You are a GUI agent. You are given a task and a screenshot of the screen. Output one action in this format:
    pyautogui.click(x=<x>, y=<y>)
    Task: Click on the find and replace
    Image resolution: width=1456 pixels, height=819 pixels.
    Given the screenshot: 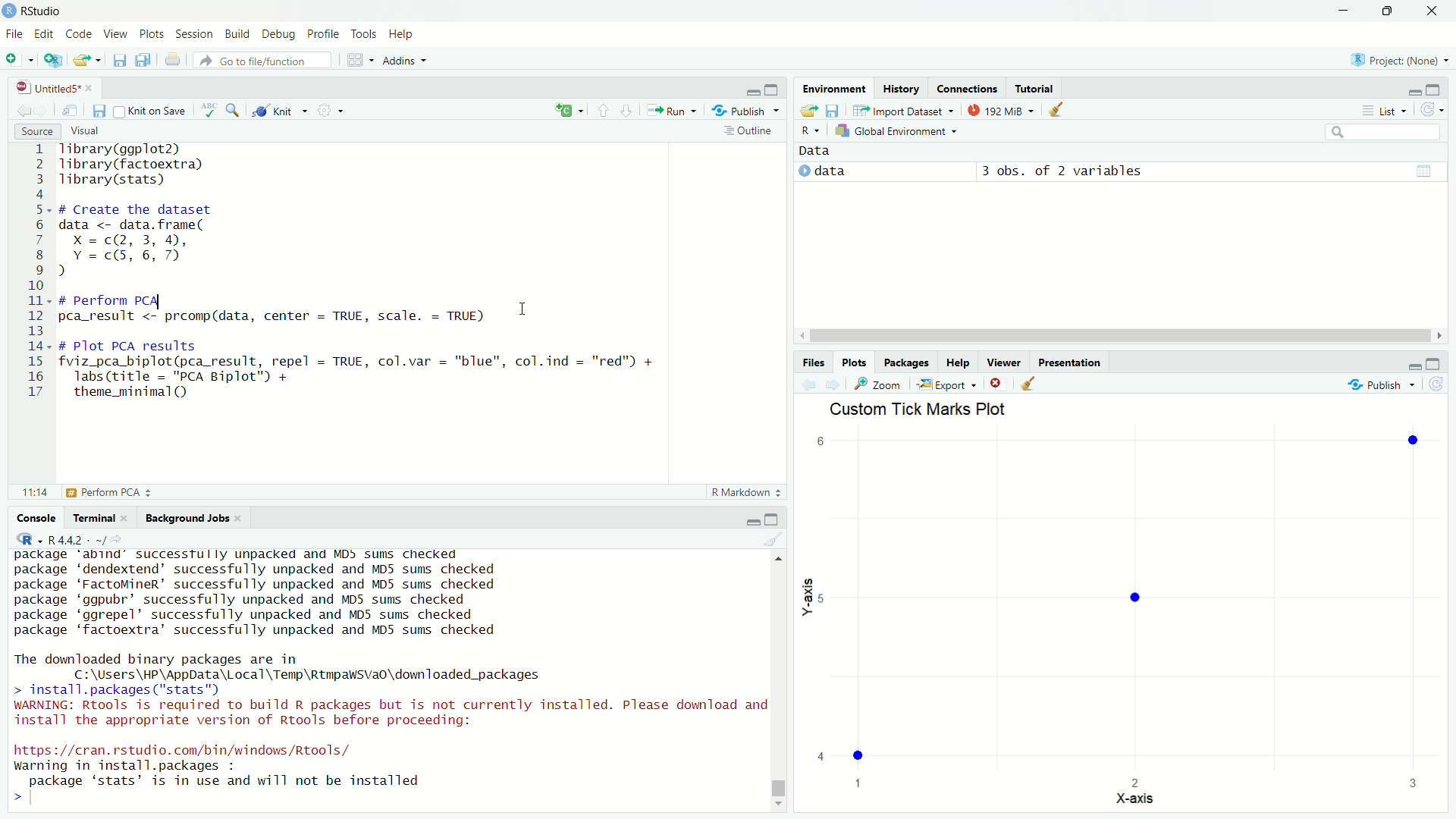 What is the action you would take?
    pyautogui.click(x=237, y=110)
    